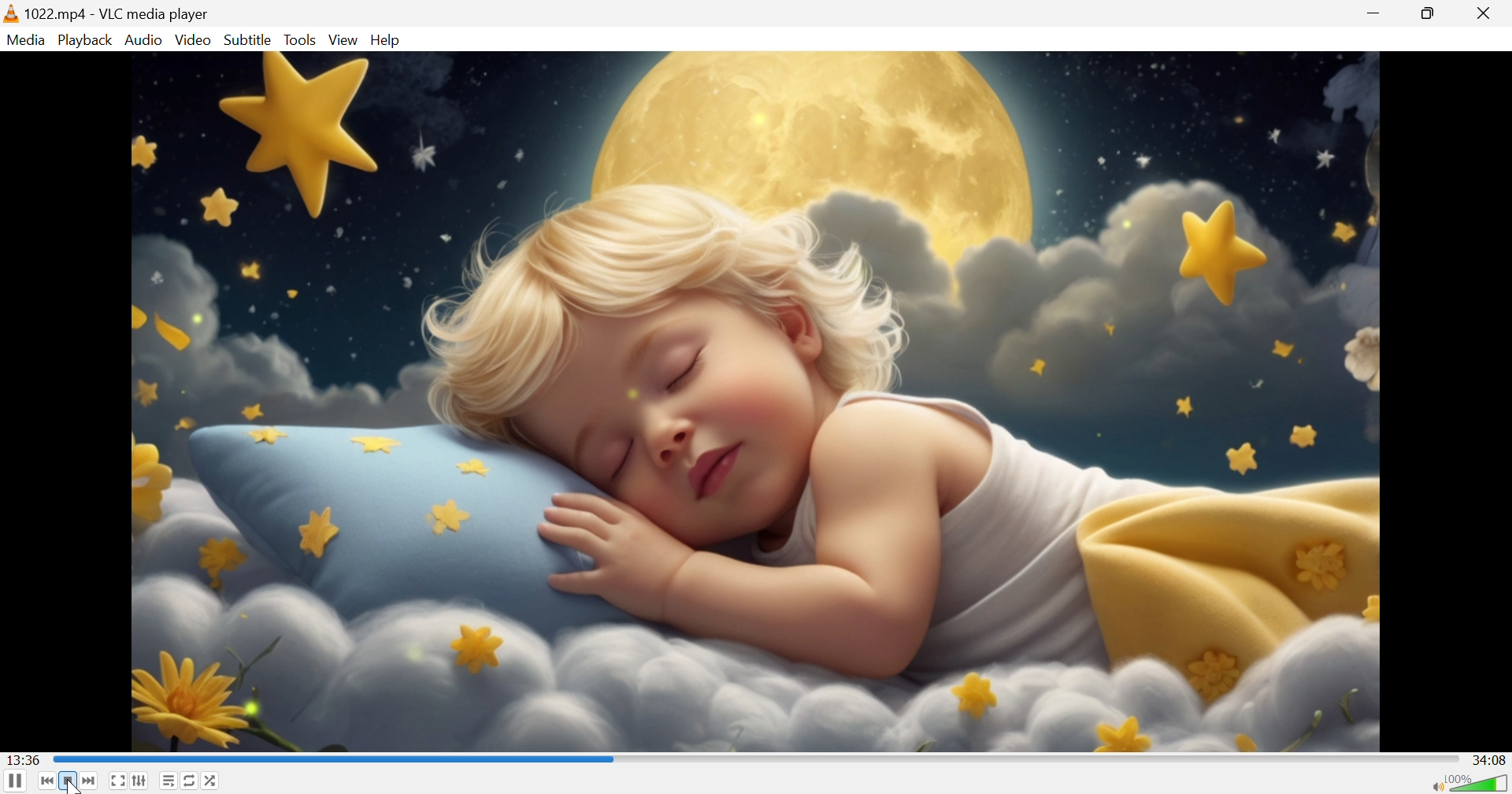 The height and width of the screenshot is (794, 1512). Describe the element at coordinates (190, 780) in the screenshot. I see `Click to toggle between loop all, loop one and no loop` at that location.